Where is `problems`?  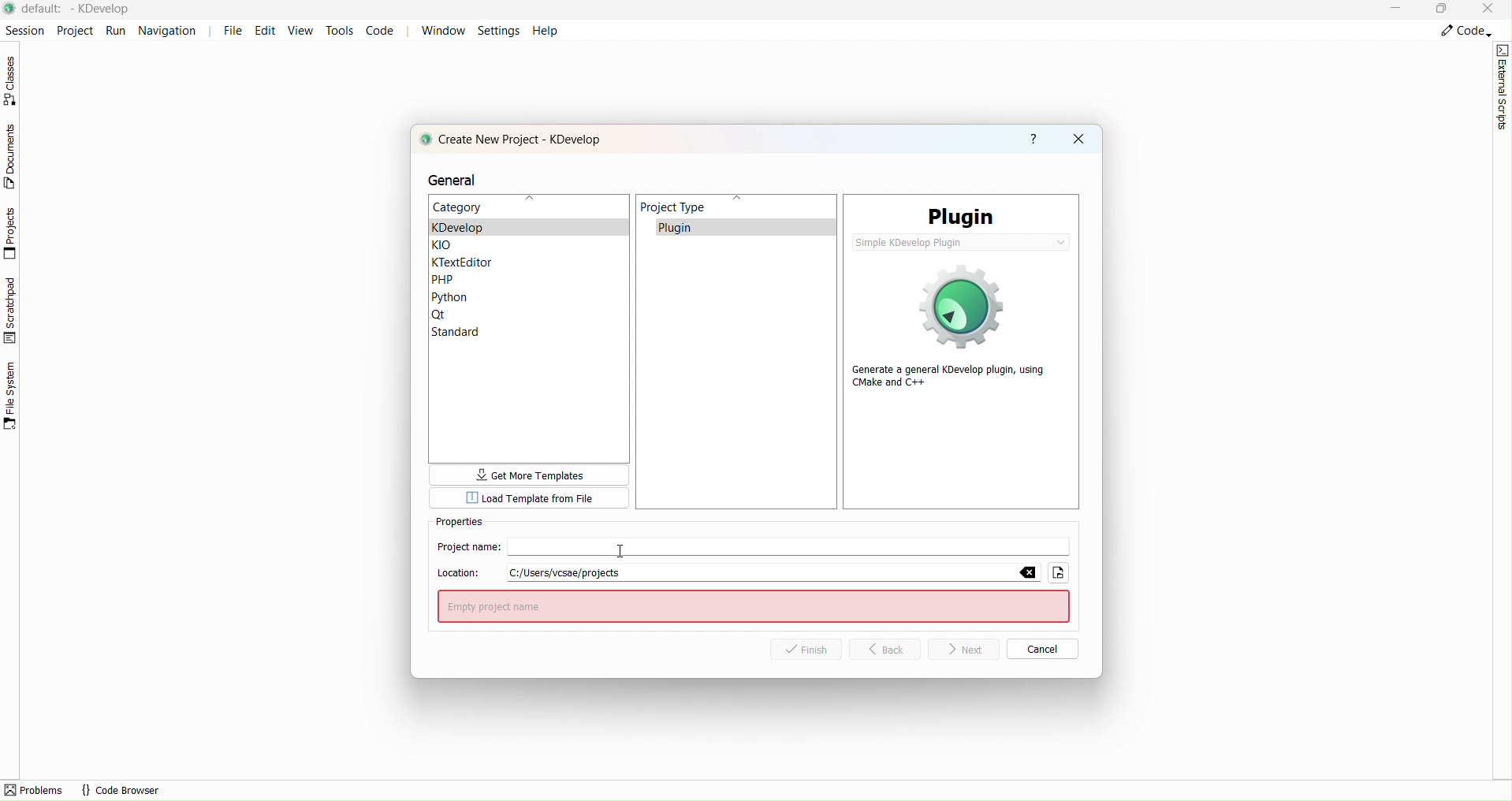 problems is located at coordinates (35, 790).